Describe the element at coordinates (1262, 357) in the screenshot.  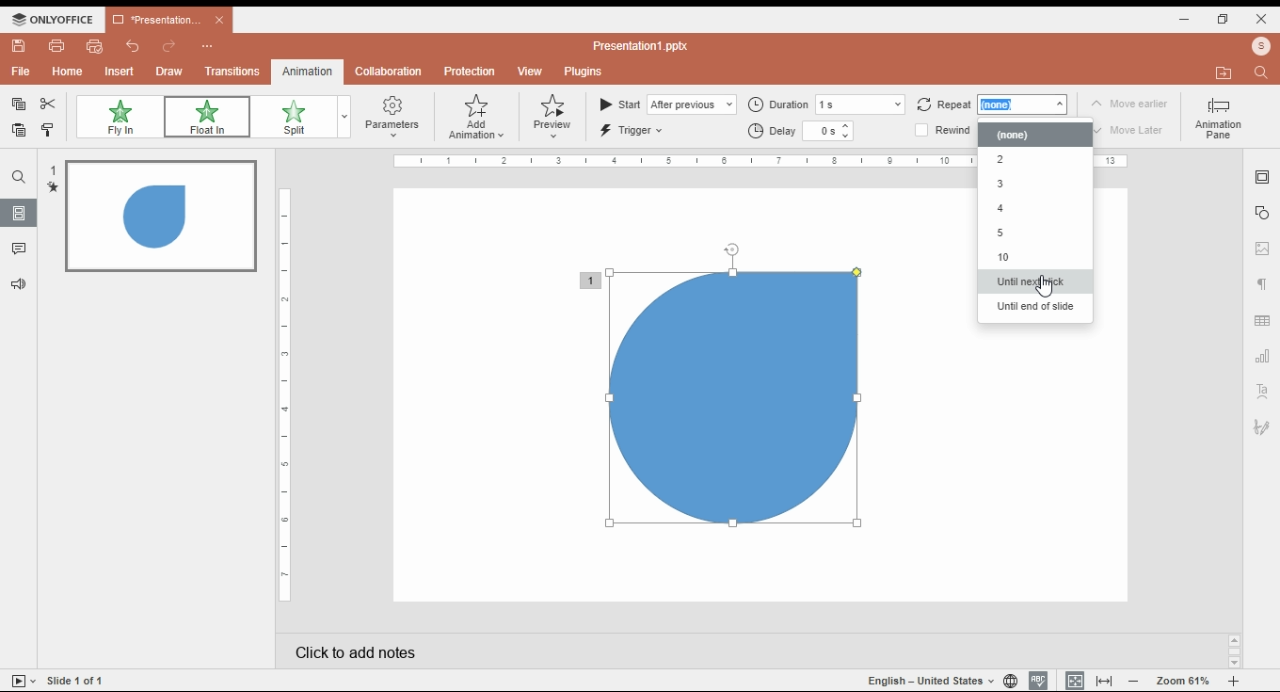
I see `chart settings` at that location.